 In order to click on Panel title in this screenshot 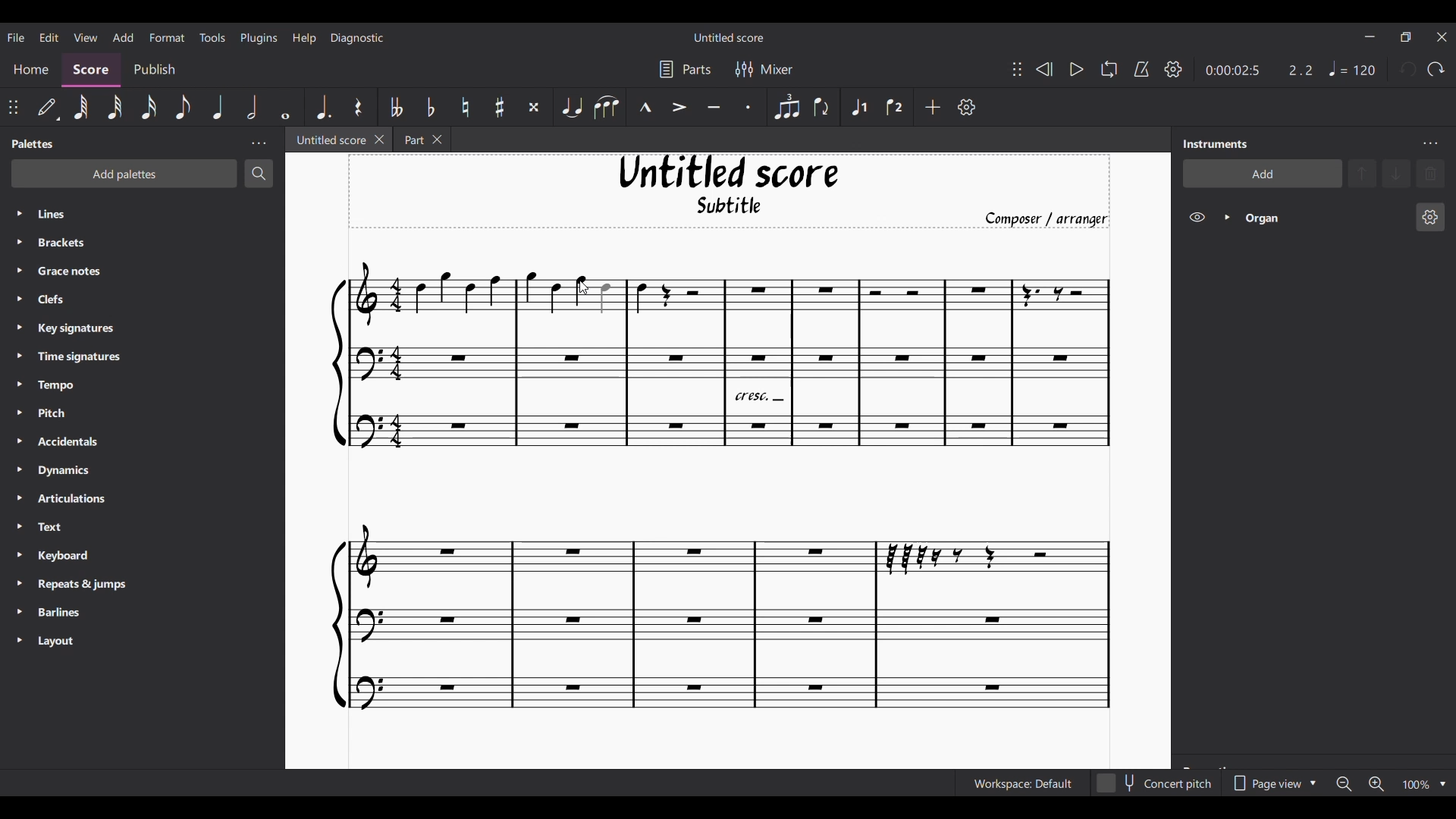, I will do `click(1216, 144)`.